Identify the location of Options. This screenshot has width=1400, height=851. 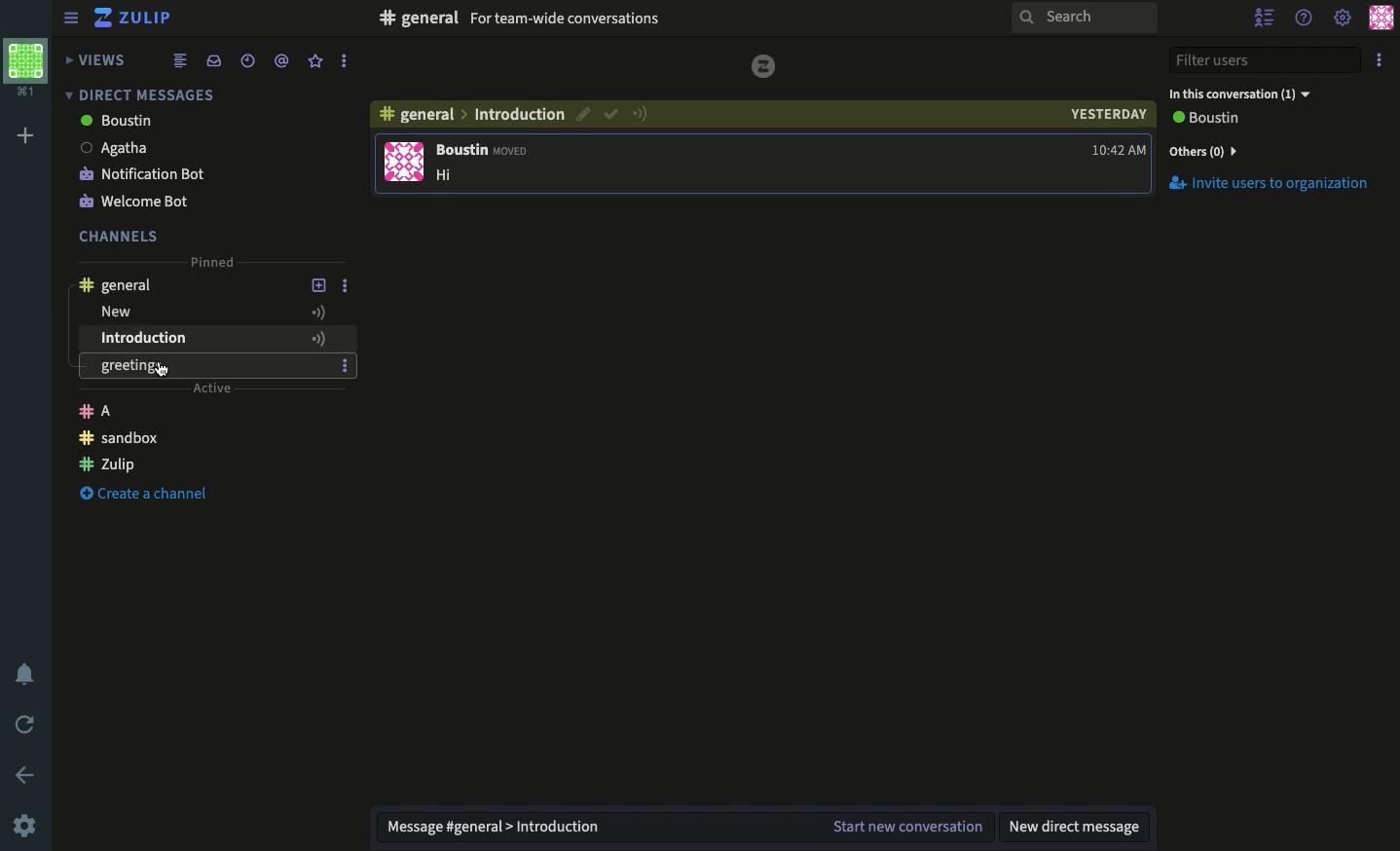
(345, 286).